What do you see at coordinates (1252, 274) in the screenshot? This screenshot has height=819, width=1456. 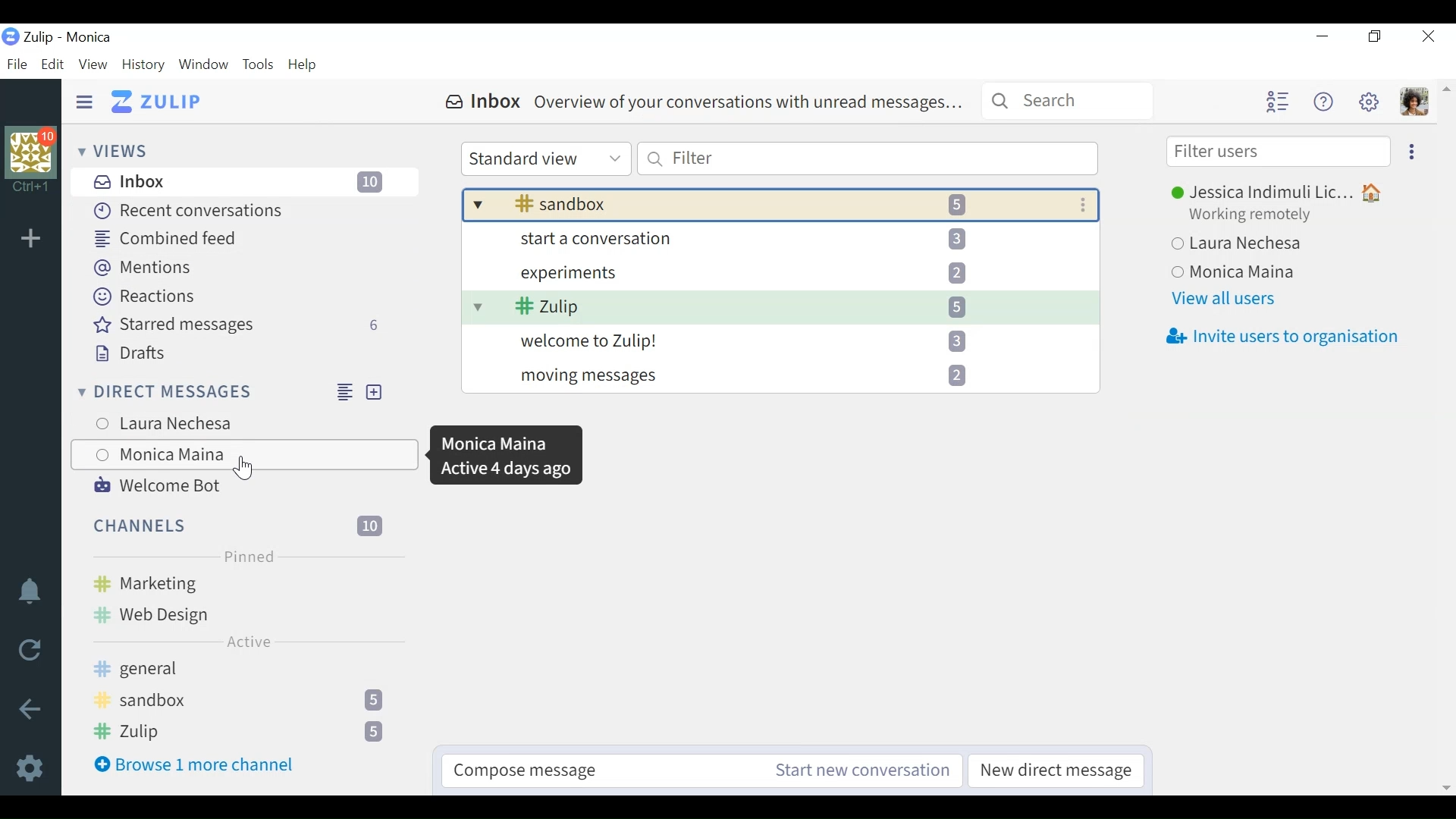 I see `Monica Maina` at bounding box center [1252, 274].